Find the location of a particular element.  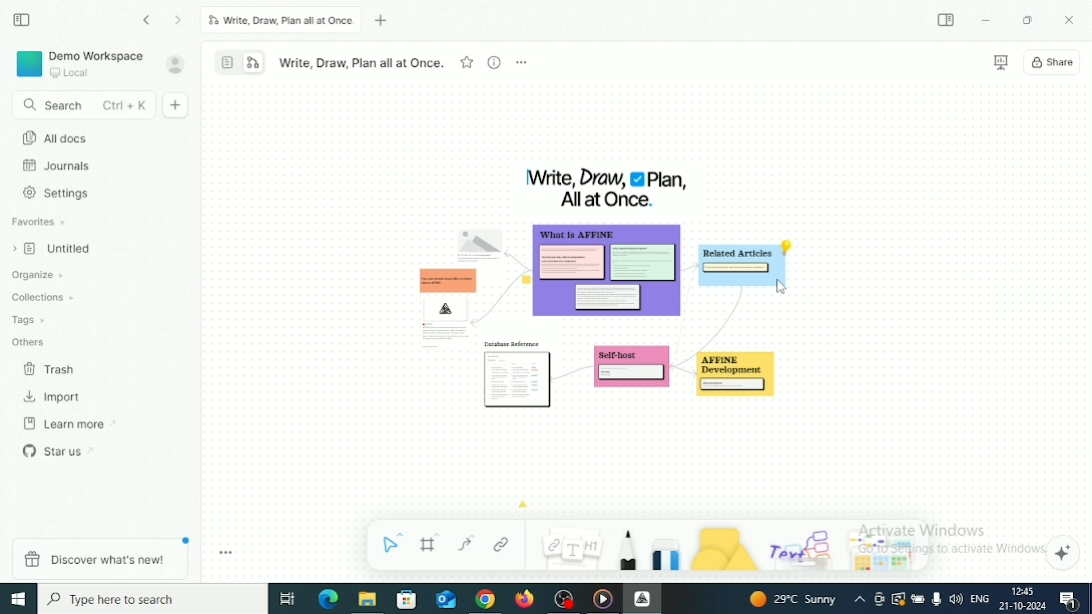

Sticky notes is located at coordinates (736, 375).